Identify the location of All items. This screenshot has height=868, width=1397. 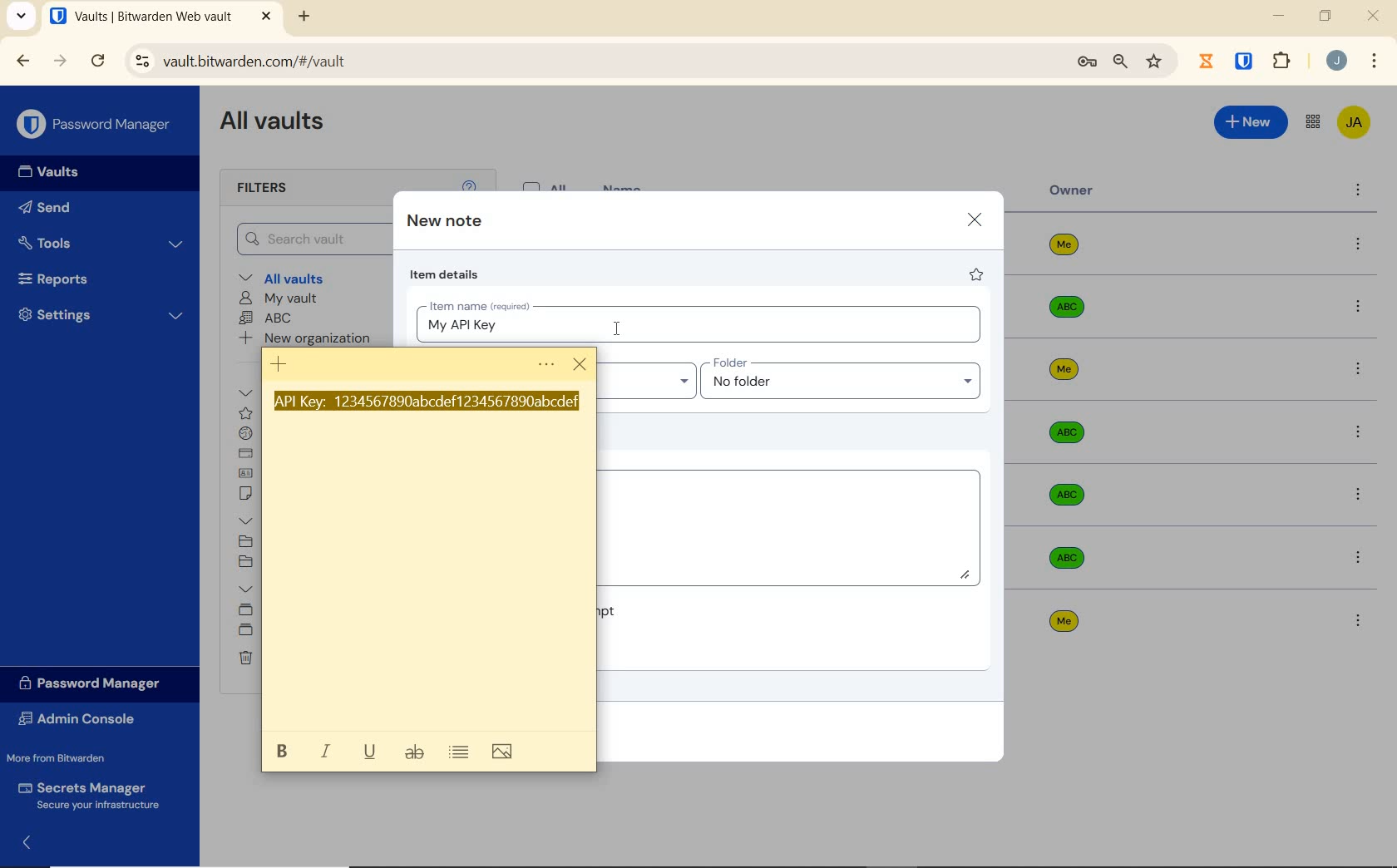
(248, 394).